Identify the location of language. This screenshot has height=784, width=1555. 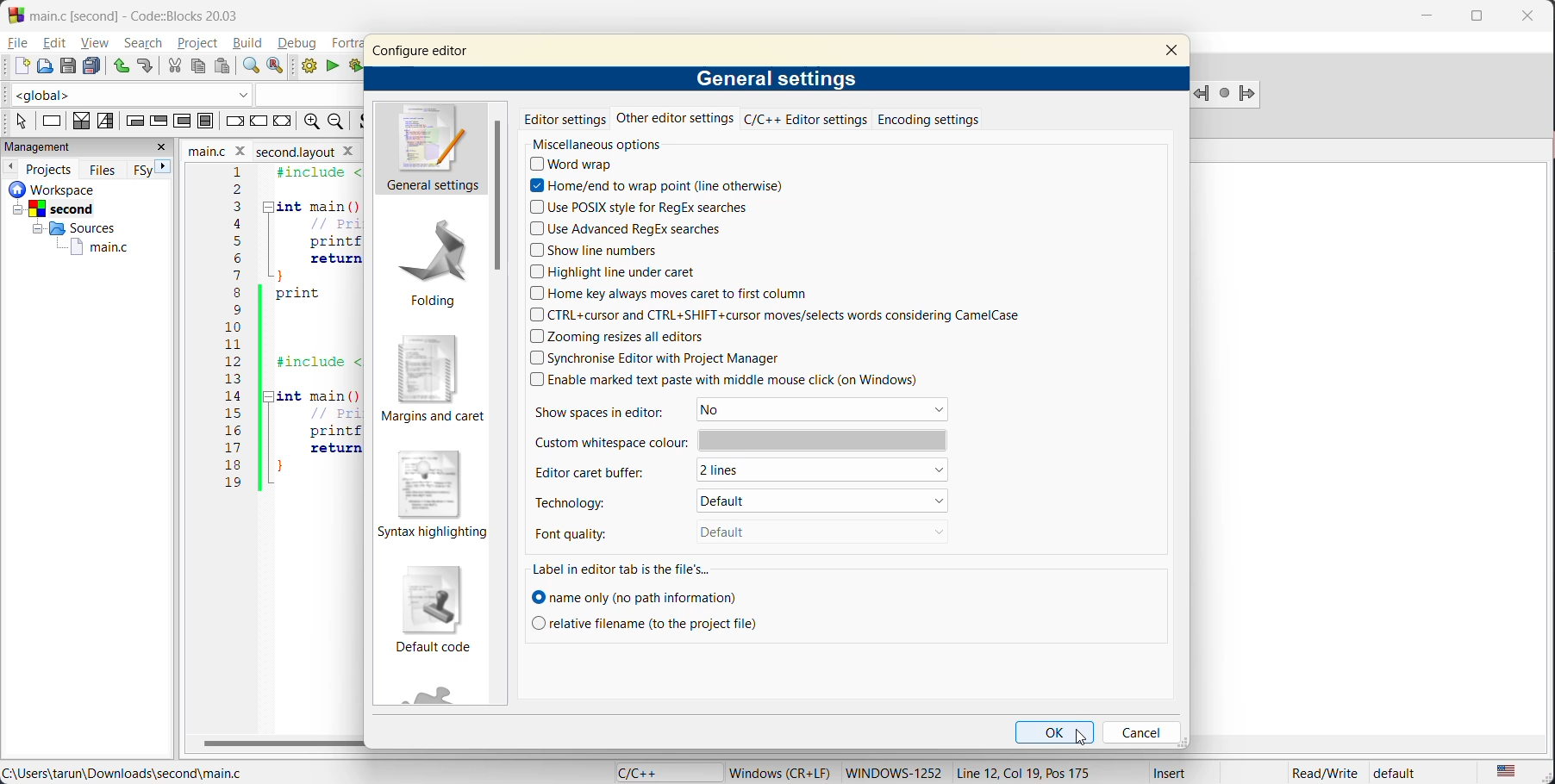
(659, 771).